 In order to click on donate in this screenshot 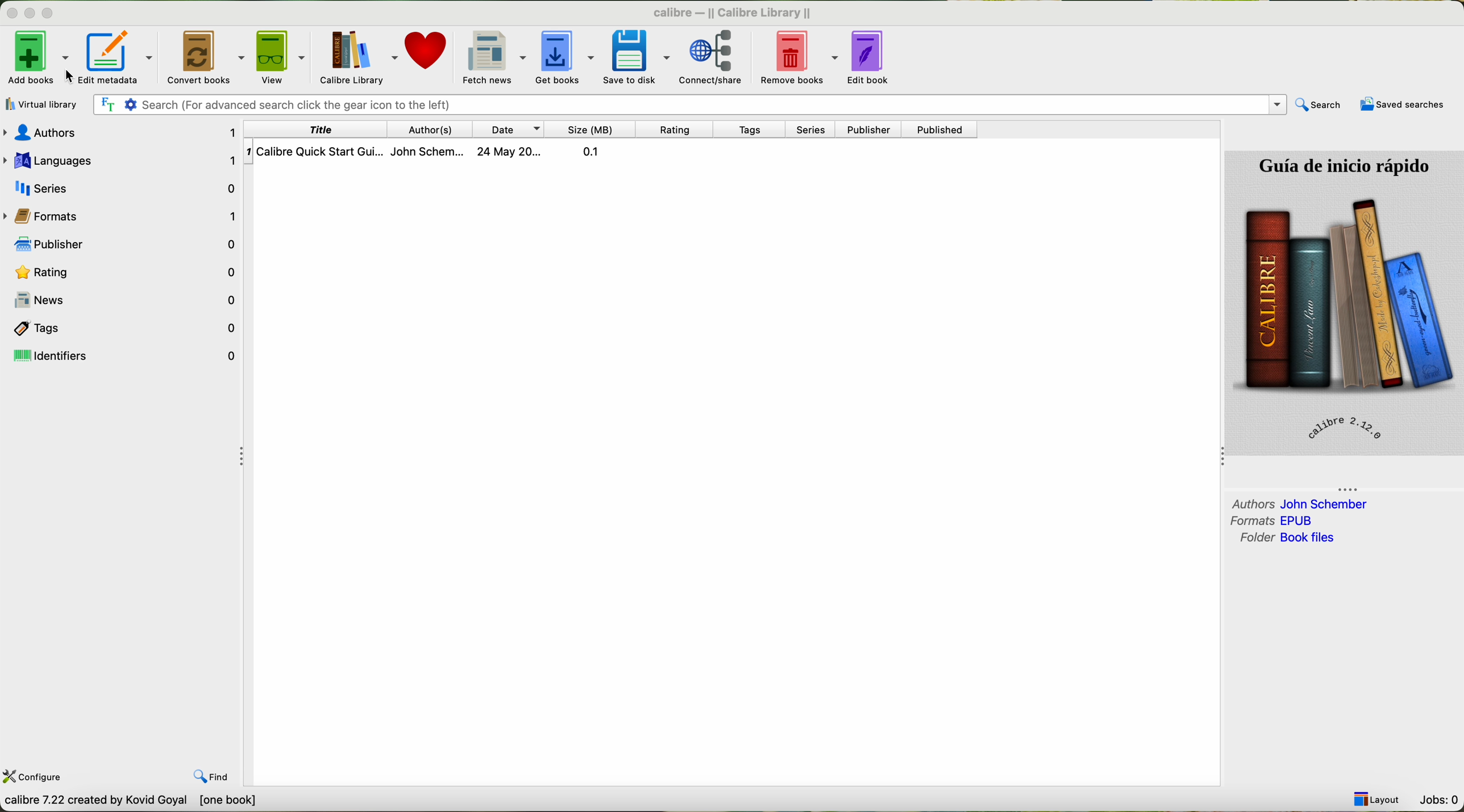, I will do `click(427, 50)`.